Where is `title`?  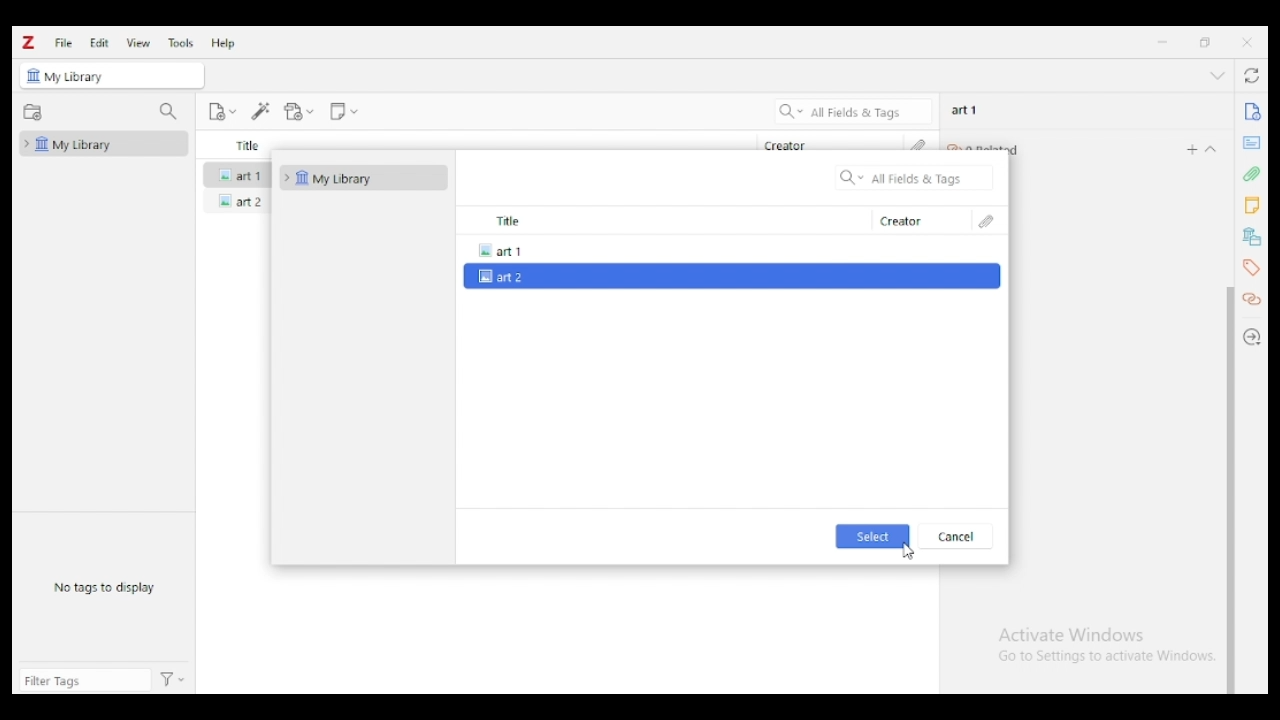 title is located at coordinates (248, 145).